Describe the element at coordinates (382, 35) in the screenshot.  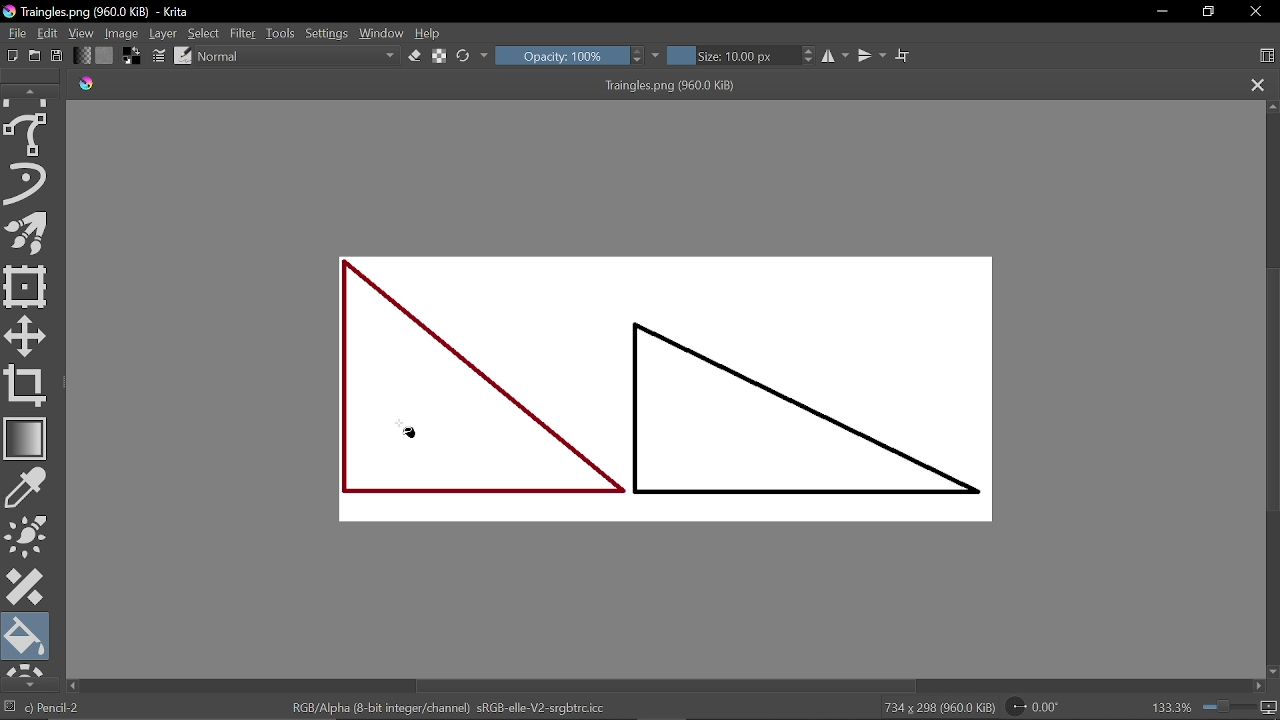
I see `Window` at that location.